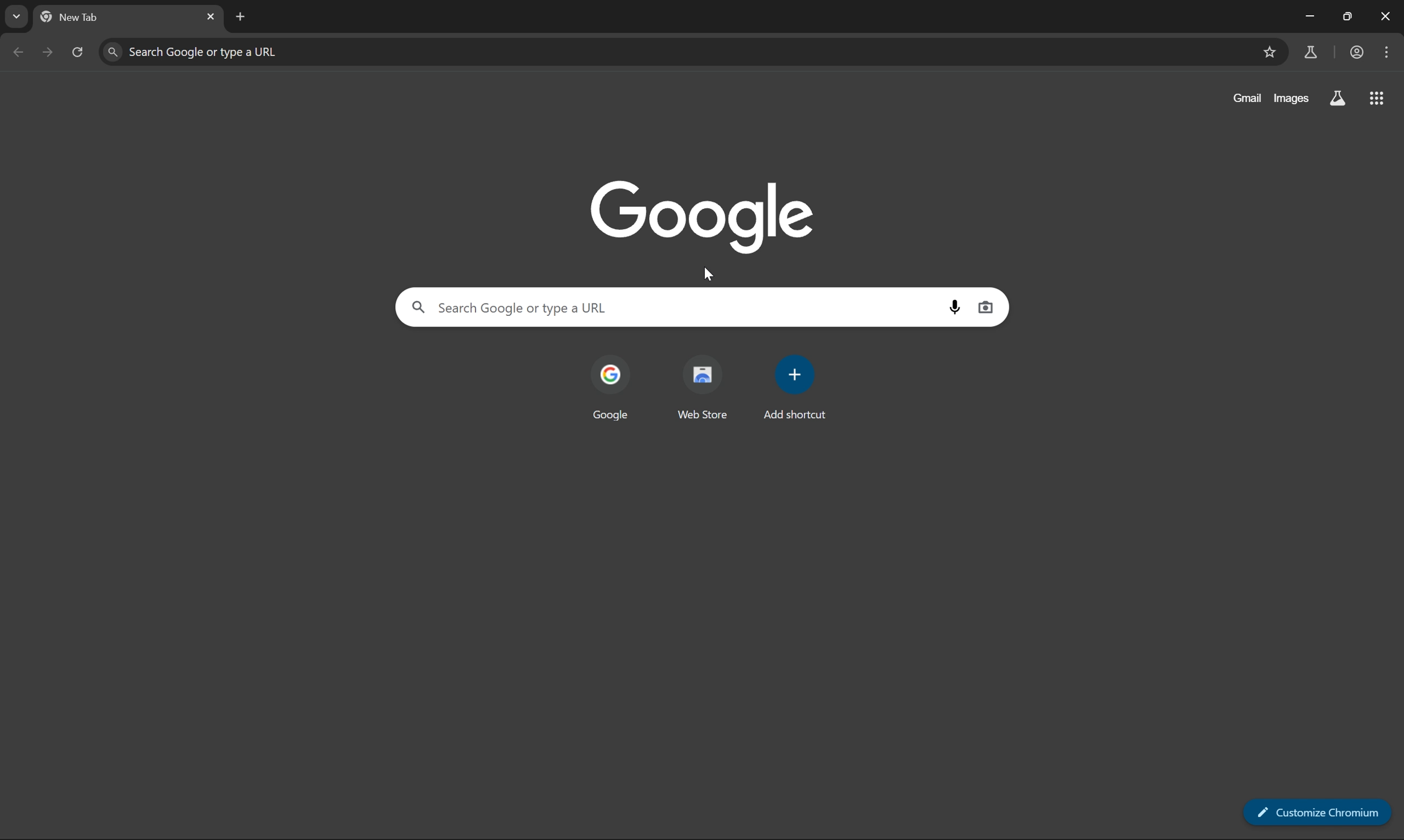 This screenshot has width=1404, height=840. What do you see at coordinates (1388, 50) in the screenshot?
I see `customize and control chromium` at bounding box center [1388, 50].